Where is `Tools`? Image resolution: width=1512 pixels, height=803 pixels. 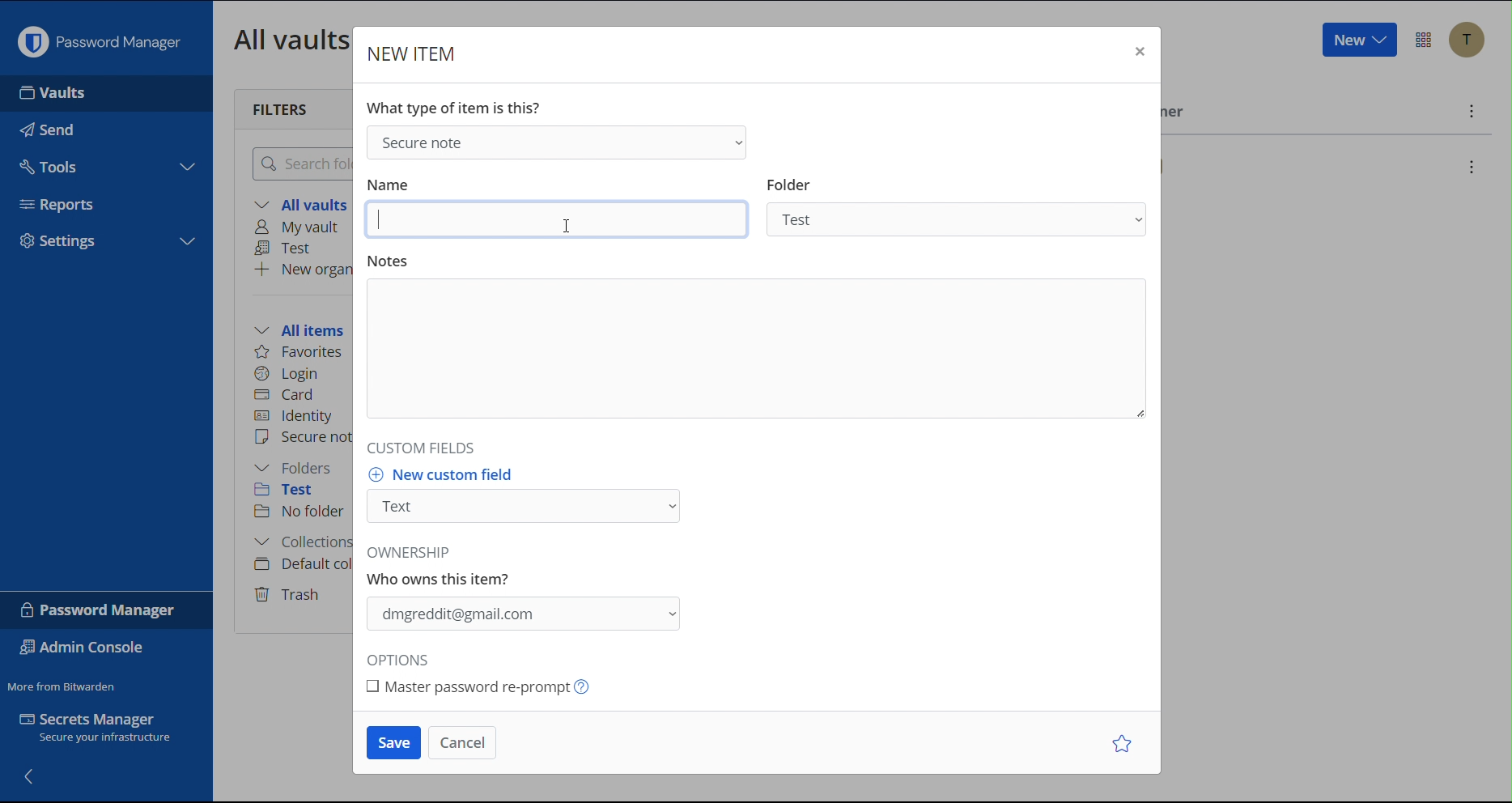 Tools is located at coordinates (50, 163).